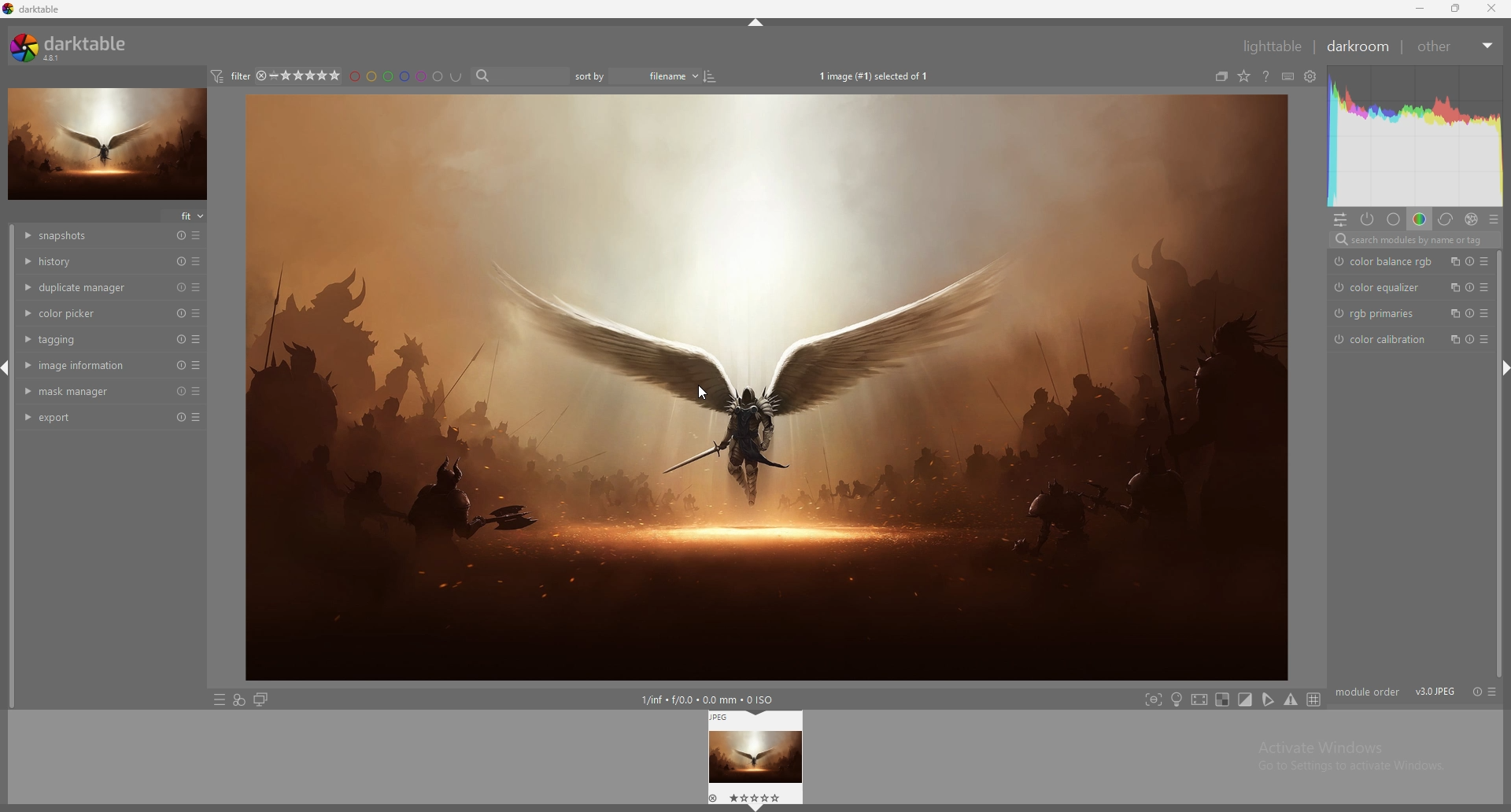 This screenshot has width=1511, height=812. Describe the element at coordinates (1453, 313) in the screenshot. I see `multiple instances action` at that location.